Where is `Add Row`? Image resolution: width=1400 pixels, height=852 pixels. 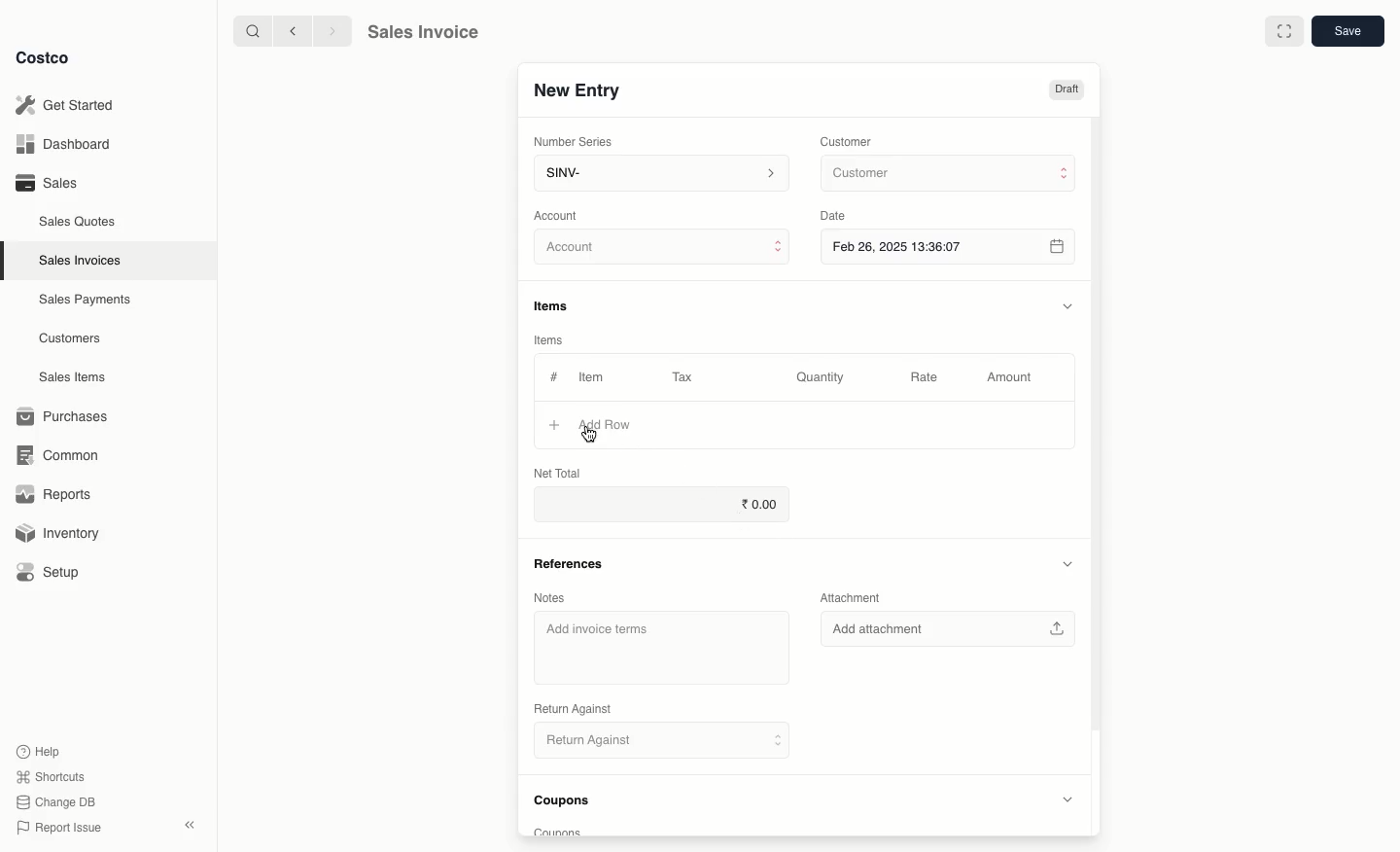 Add Row is located at coordinates (611, 427).